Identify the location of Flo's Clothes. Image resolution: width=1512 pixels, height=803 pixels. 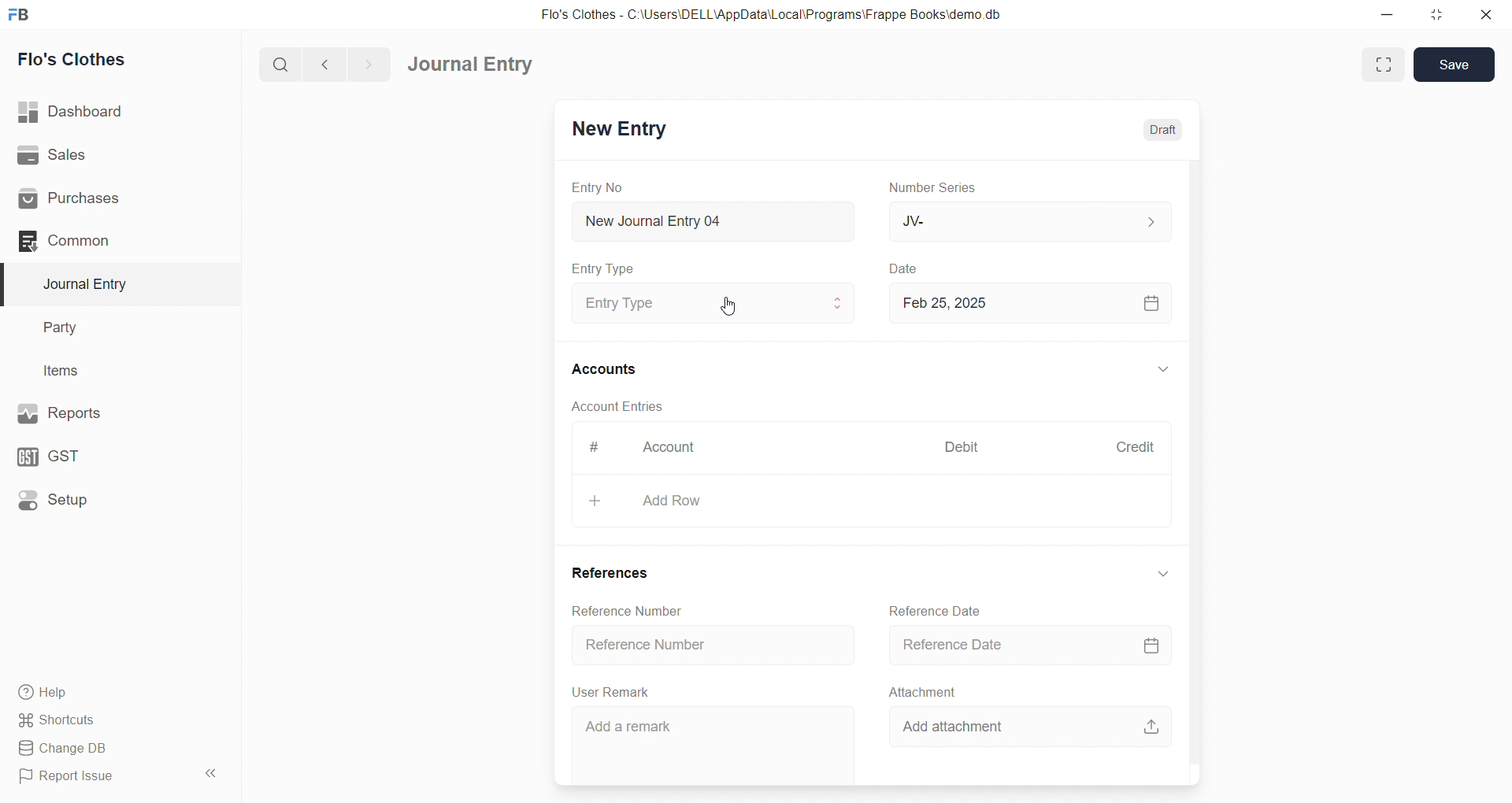
(113, 60).